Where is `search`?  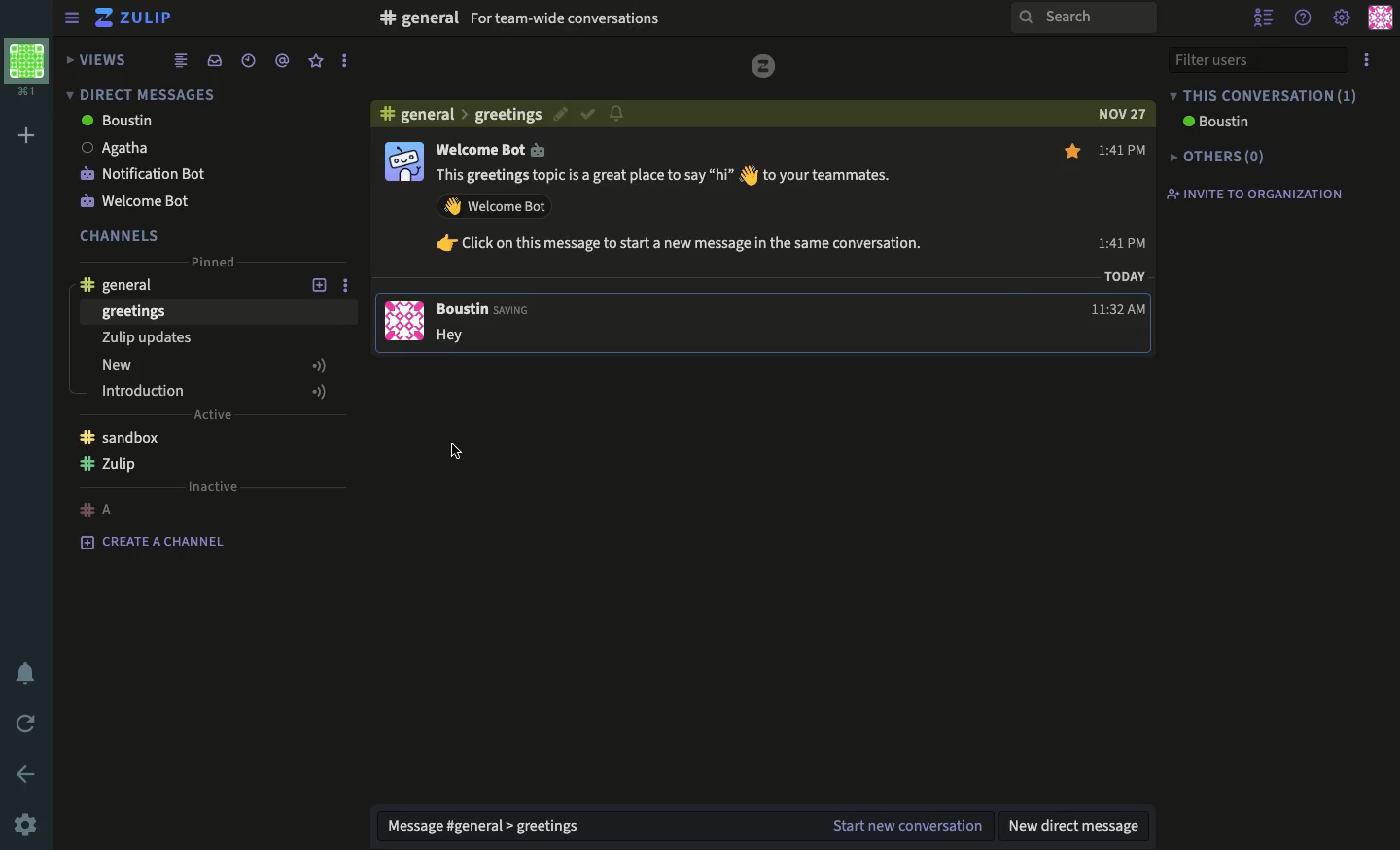
search is located at coordinates (1082, 17).